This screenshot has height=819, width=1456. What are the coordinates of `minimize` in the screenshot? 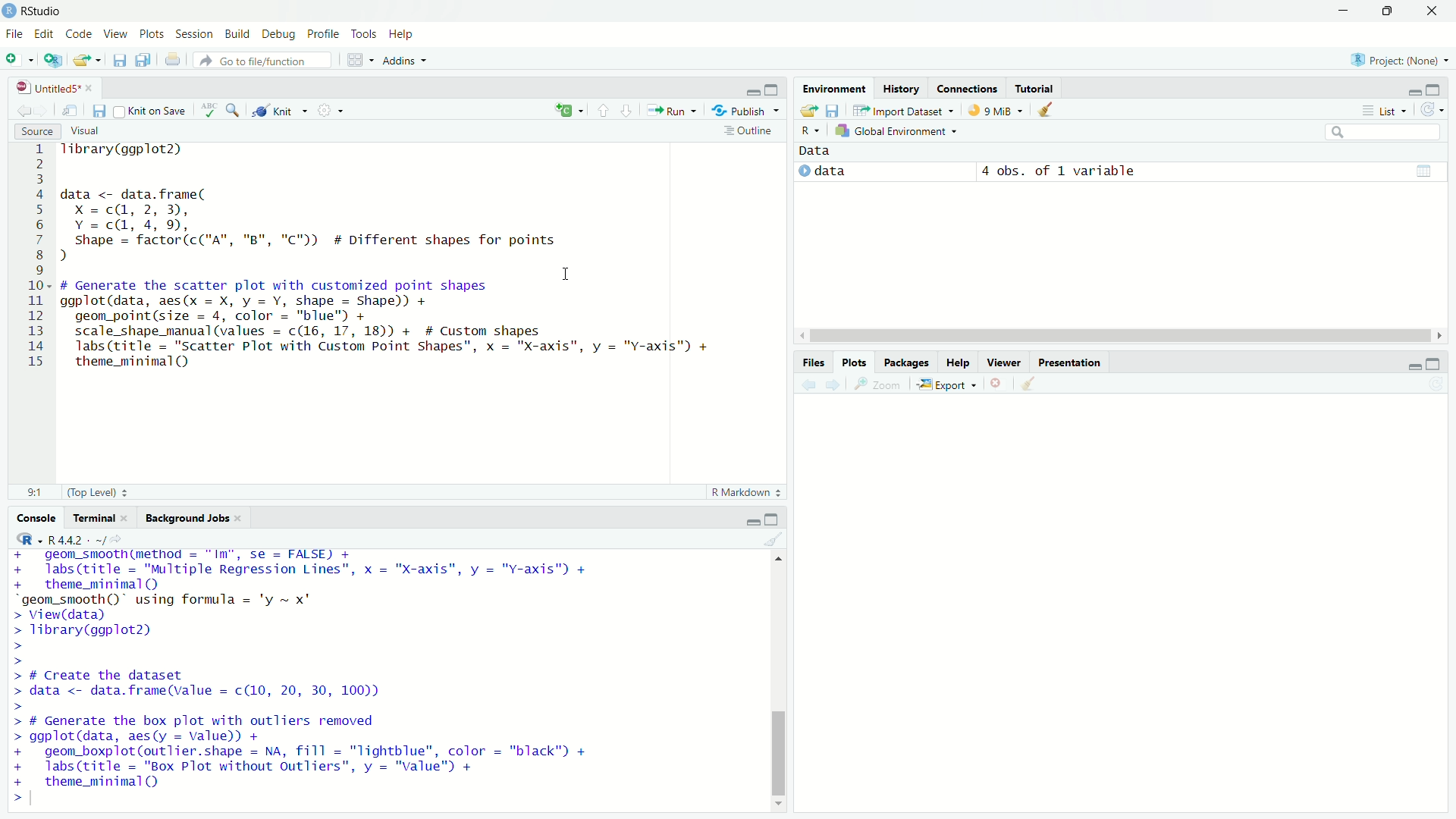 It's located at (752, 92).